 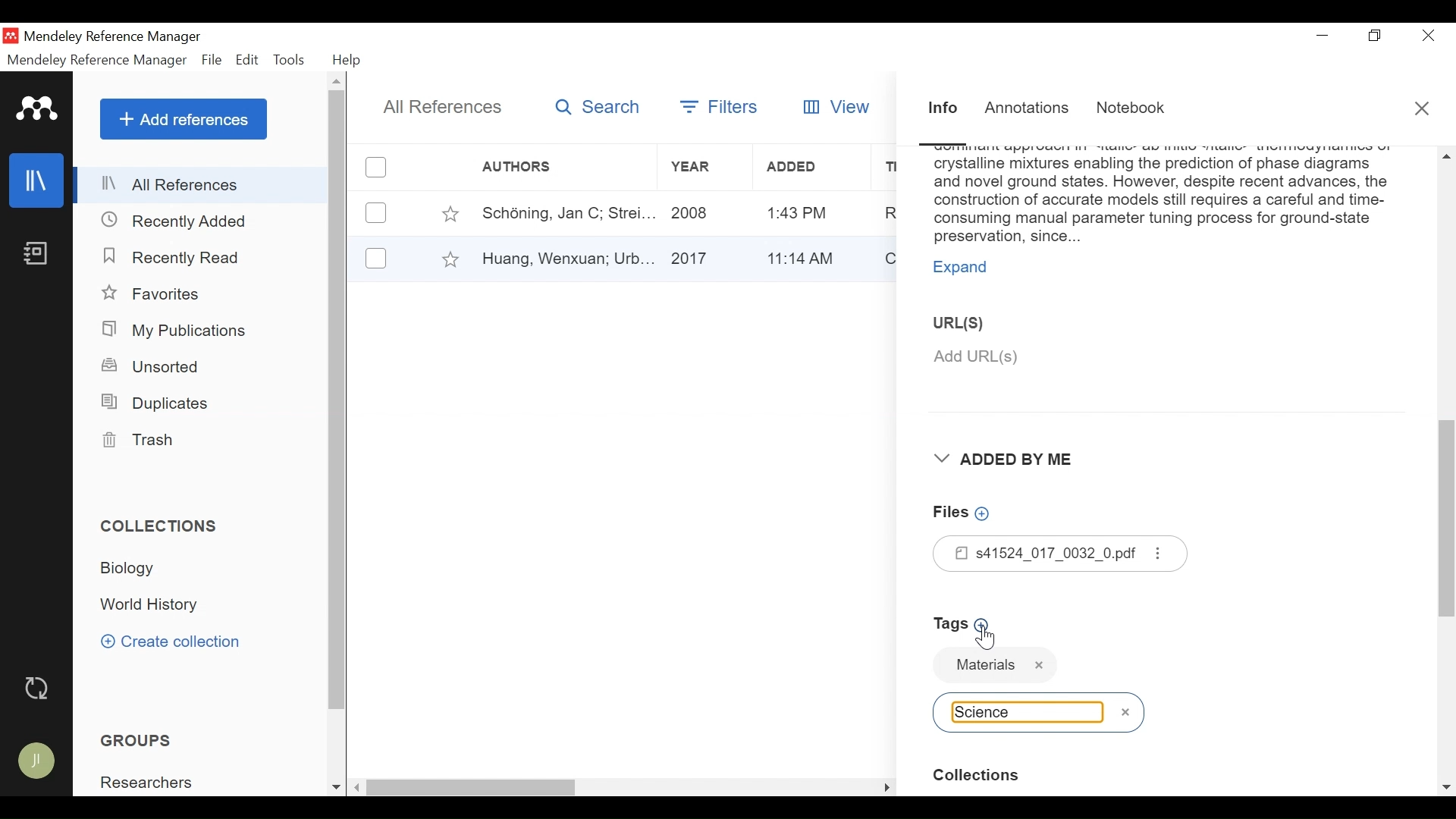 I want to click on URL(S), so click(x=971, y=322).